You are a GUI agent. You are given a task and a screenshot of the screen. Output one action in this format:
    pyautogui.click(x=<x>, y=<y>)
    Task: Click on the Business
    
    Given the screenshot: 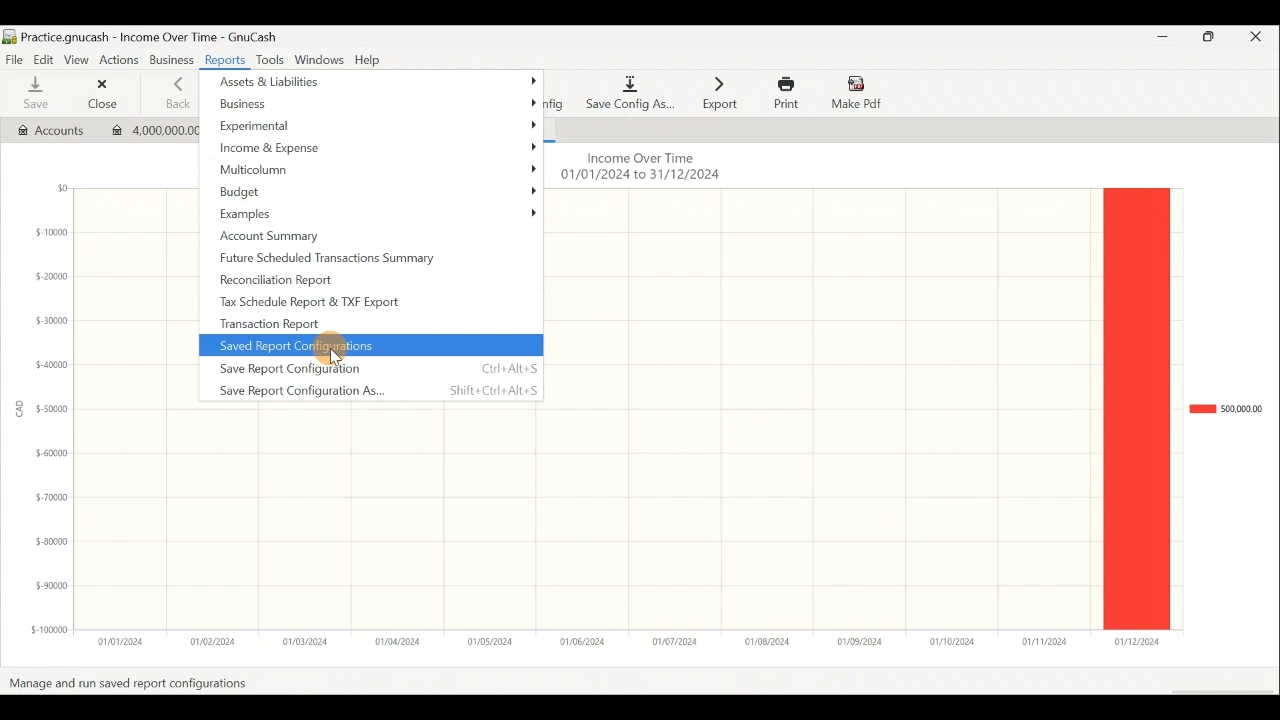 What is the action you would take?
    pyautogui.click(x=172, y=61)
    